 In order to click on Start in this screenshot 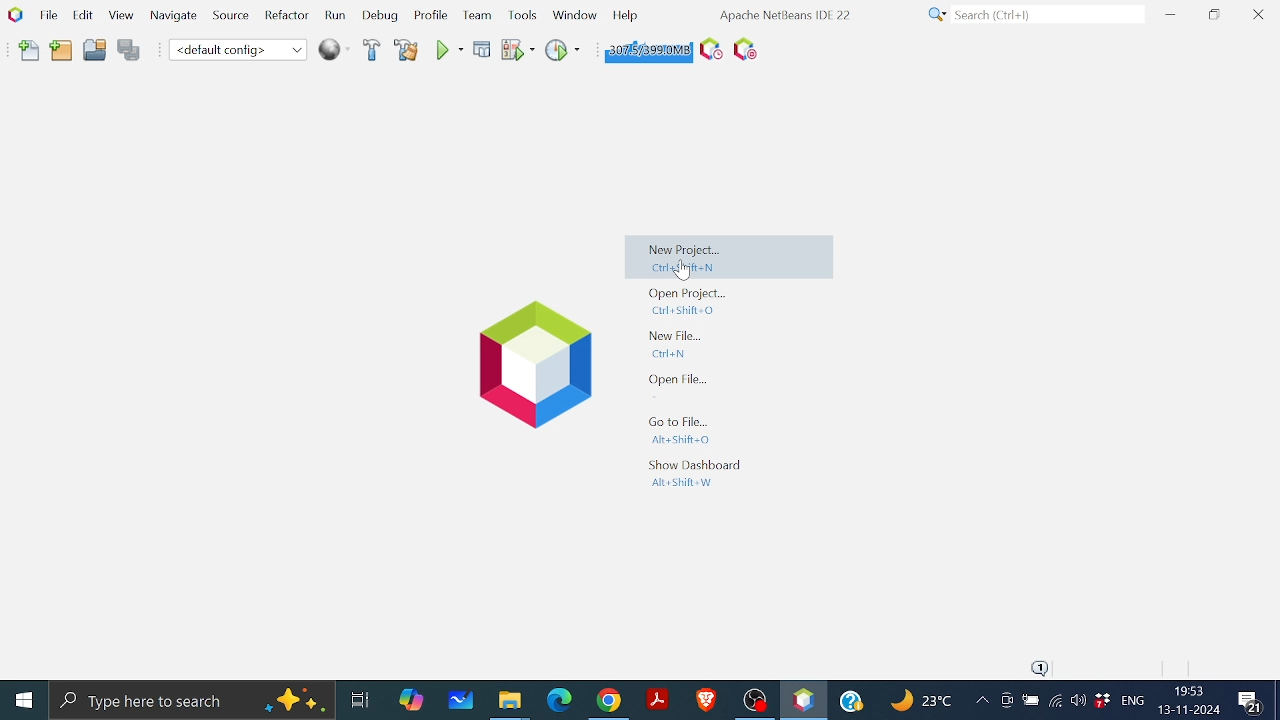, I will do `click(26, 699)`.